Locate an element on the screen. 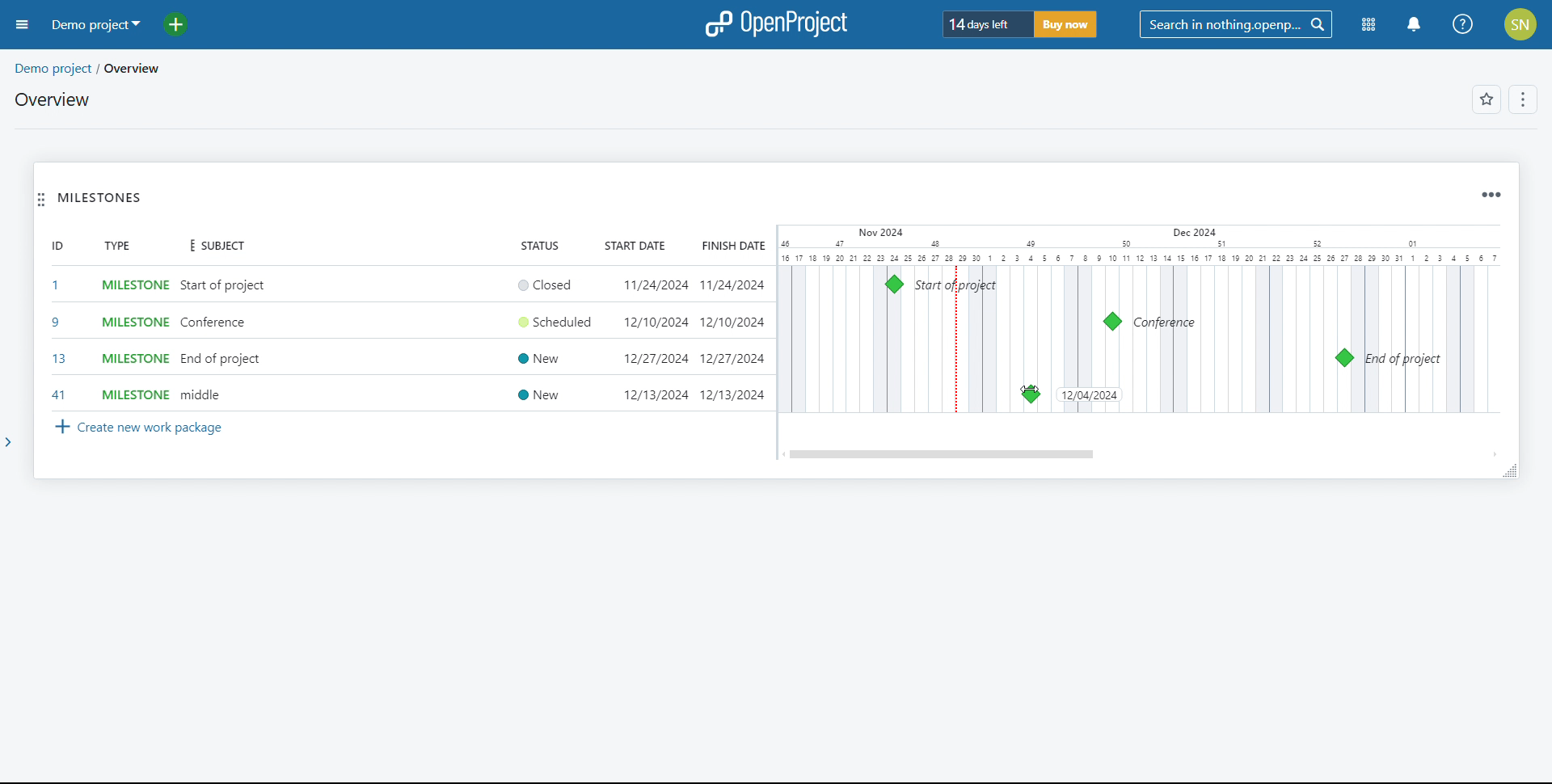  add to favorites is located at coordinates (1487, 99).